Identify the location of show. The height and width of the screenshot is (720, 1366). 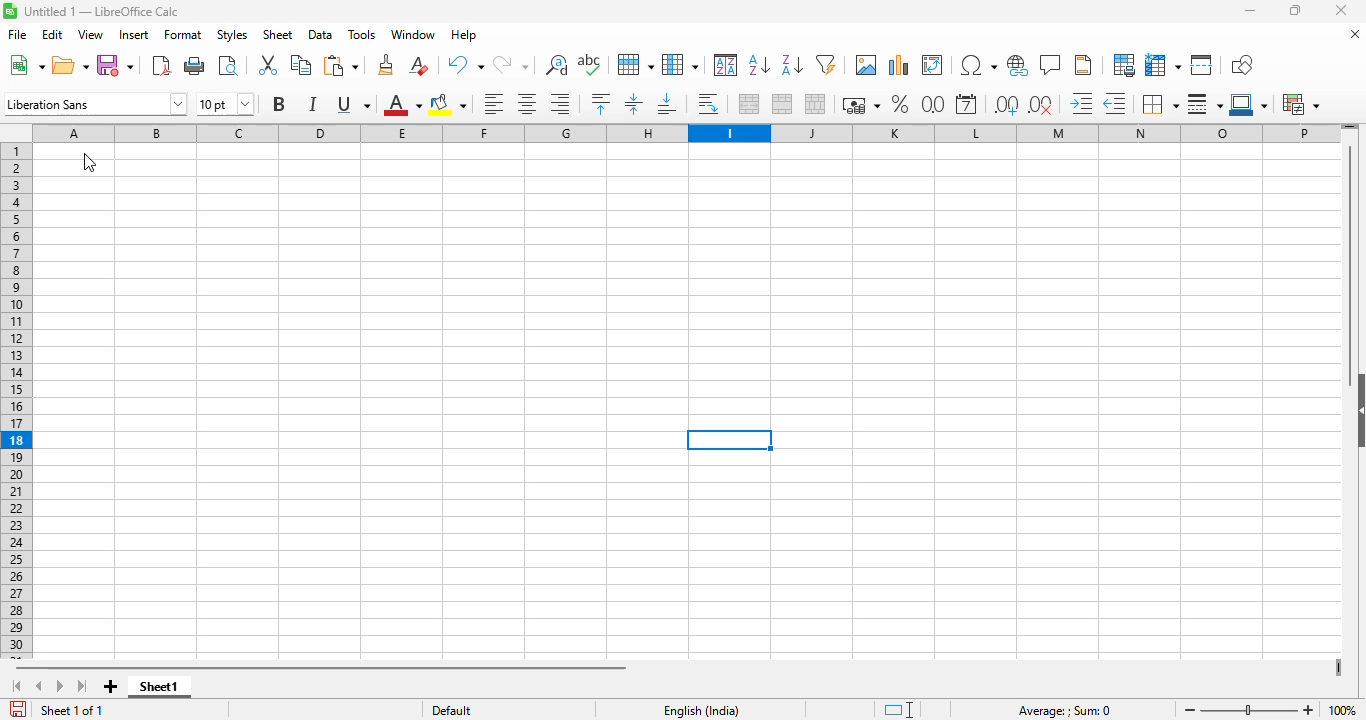
(1357, 412).